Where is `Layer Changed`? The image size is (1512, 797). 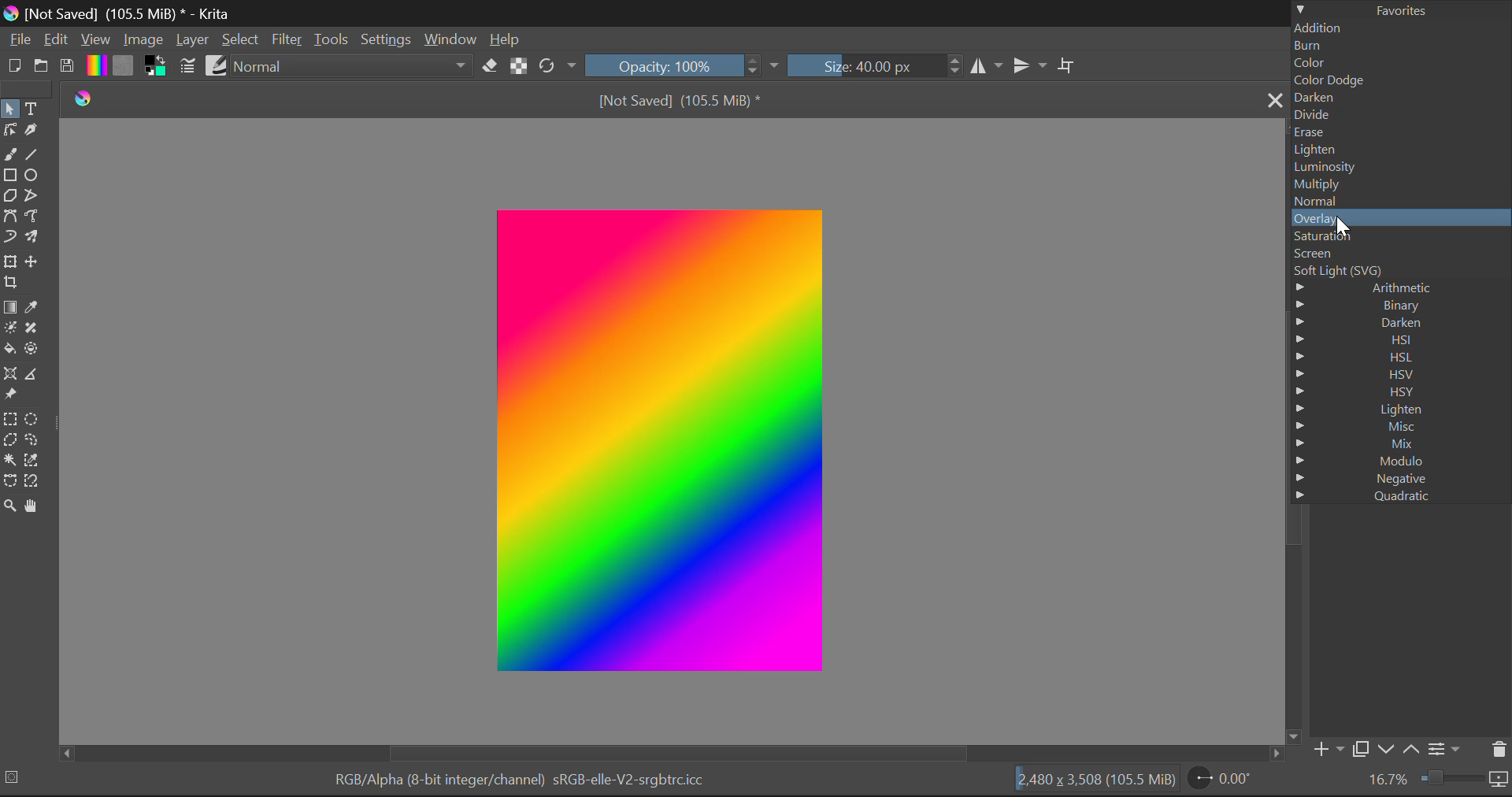 Layer Changed is located at coordinates (658, 440).